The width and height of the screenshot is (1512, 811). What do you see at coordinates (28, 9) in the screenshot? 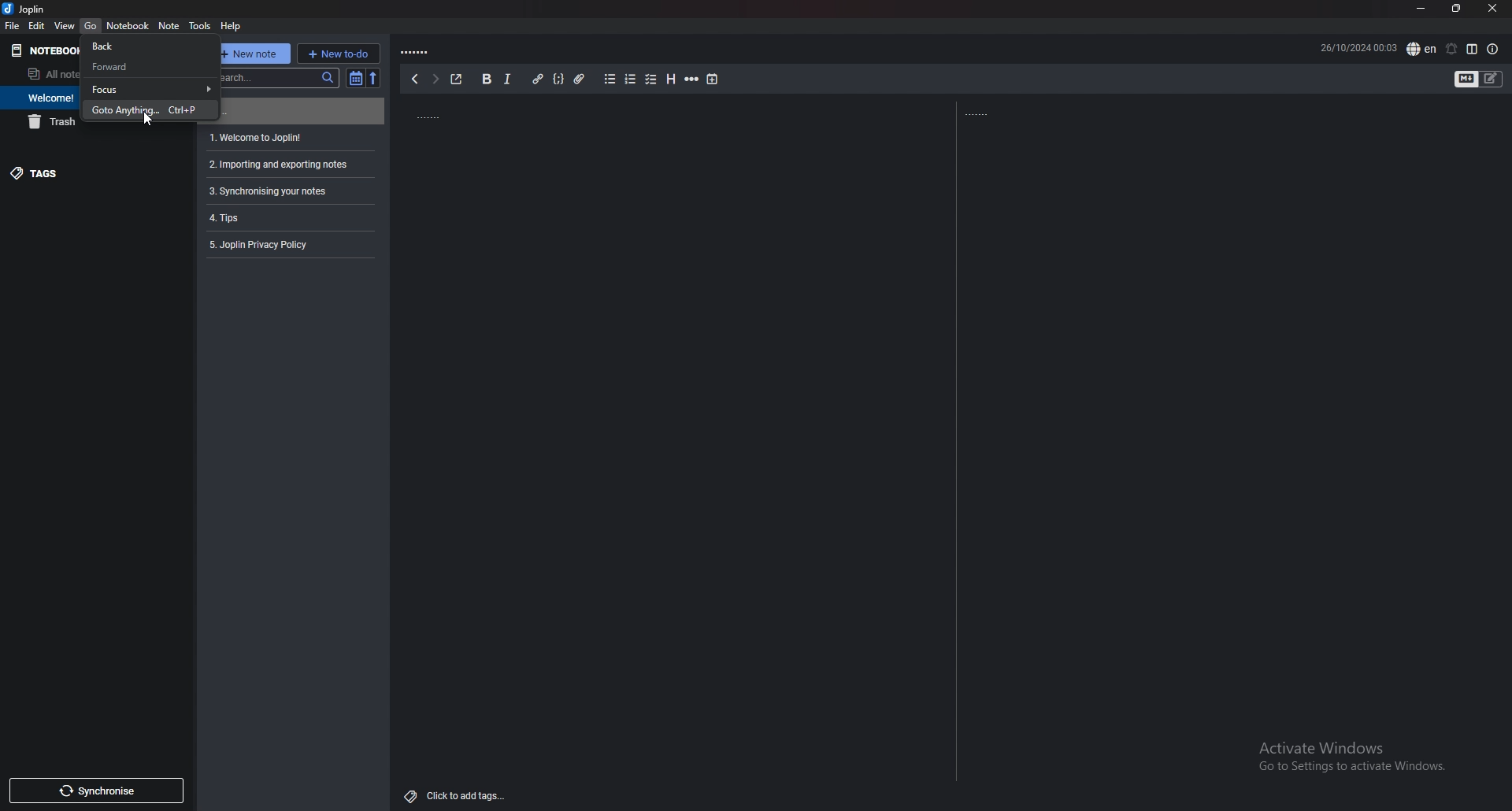
I see `joplin` at bounding box center [28, 9].